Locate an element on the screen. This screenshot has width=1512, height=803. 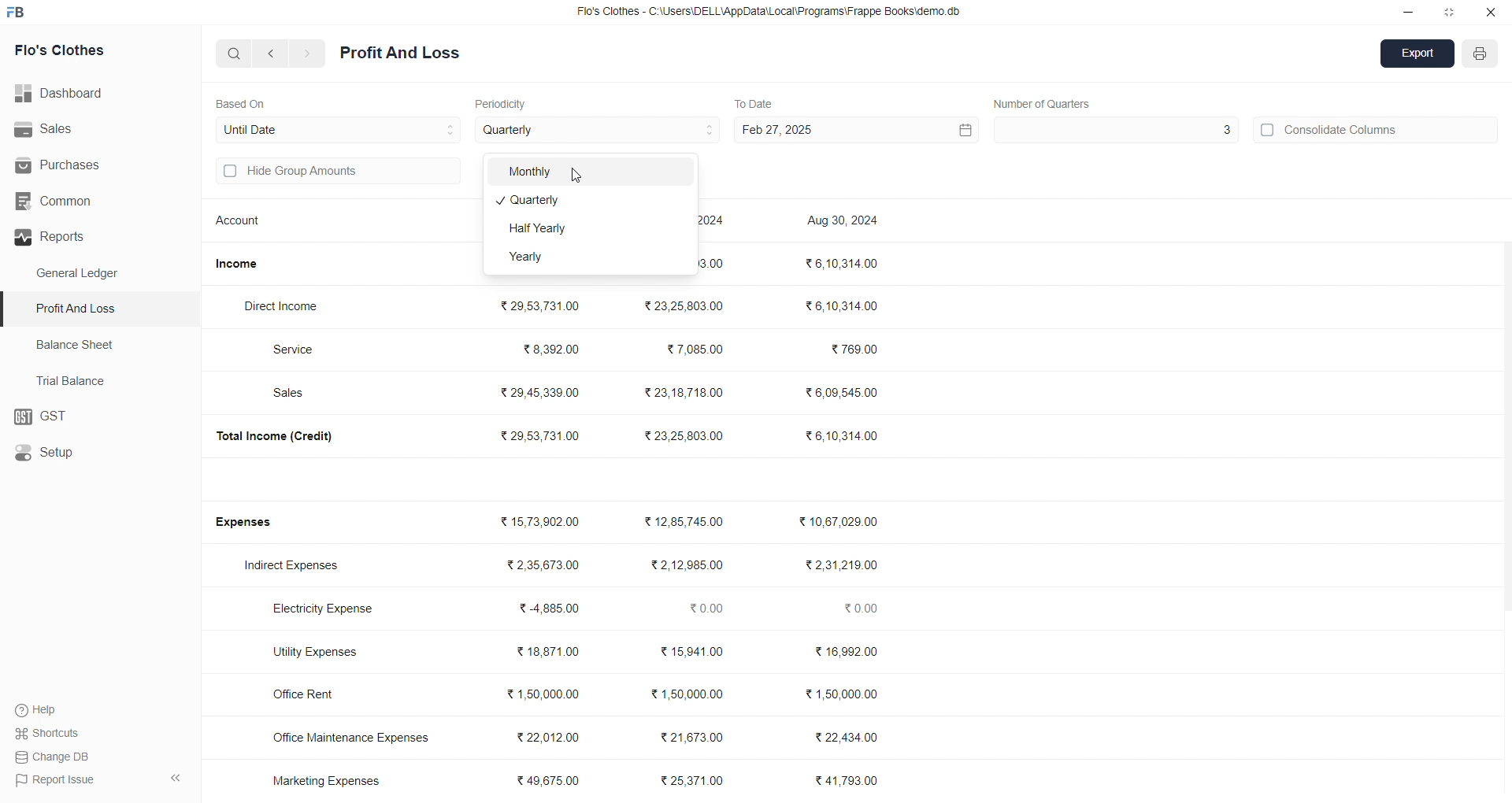
Aug 30, 2024 is located at coordinates (845, 222).